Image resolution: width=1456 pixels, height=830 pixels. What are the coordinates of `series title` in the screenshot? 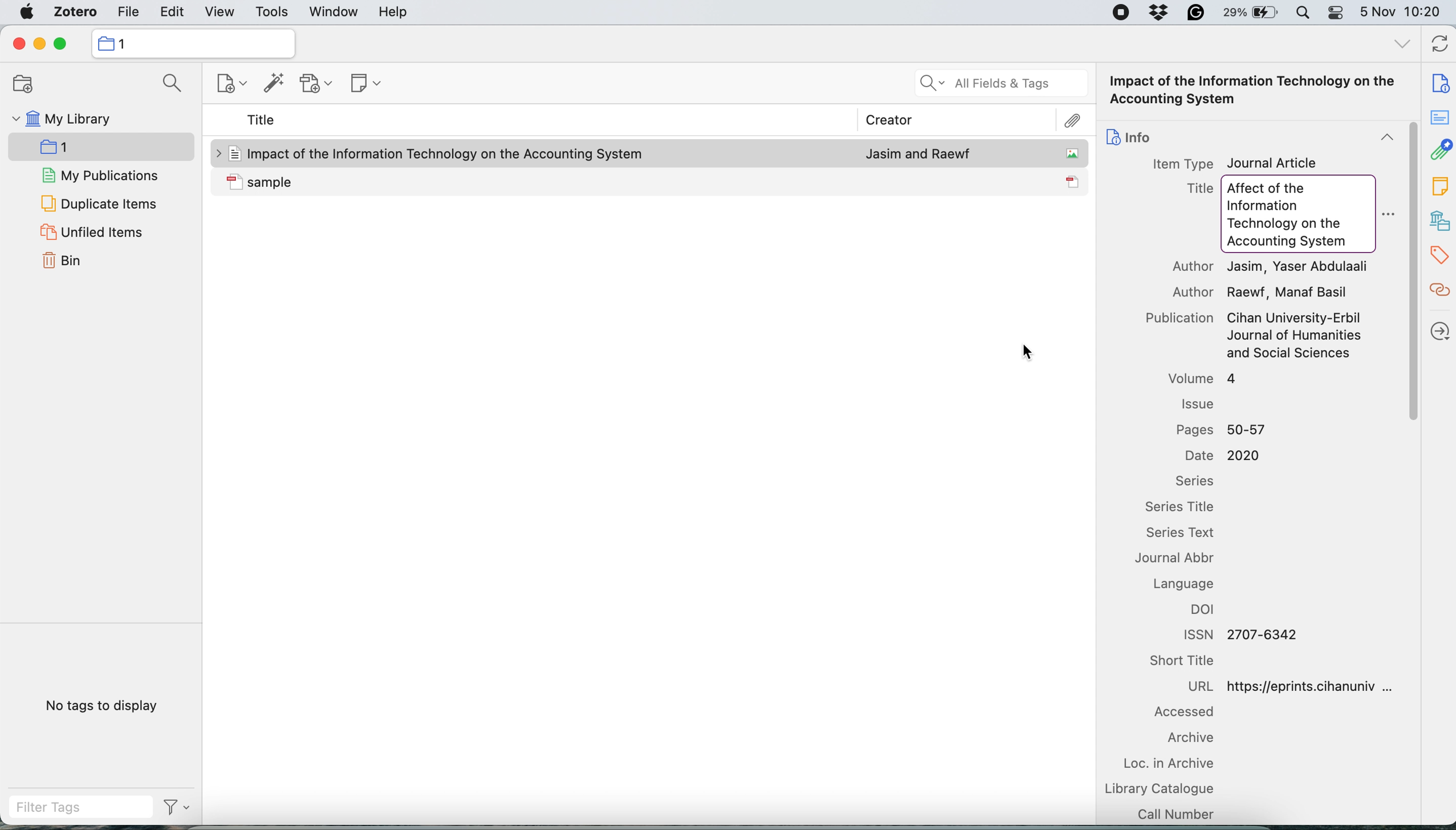 It's located at (1183, 508).